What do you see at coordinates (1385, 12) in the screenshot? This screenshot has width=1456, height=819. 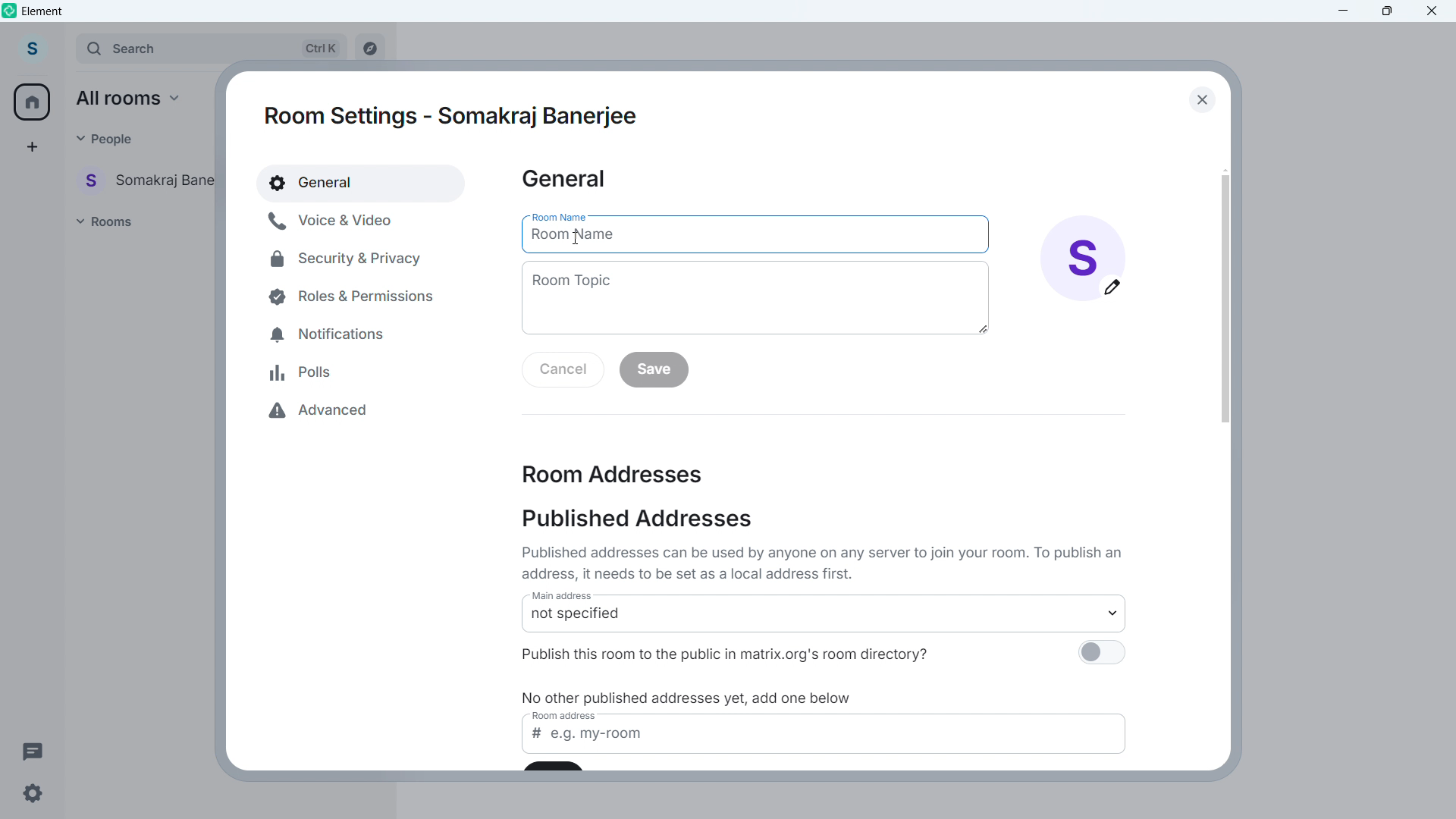 I see `maximize` at bounding box center [1385, 12].